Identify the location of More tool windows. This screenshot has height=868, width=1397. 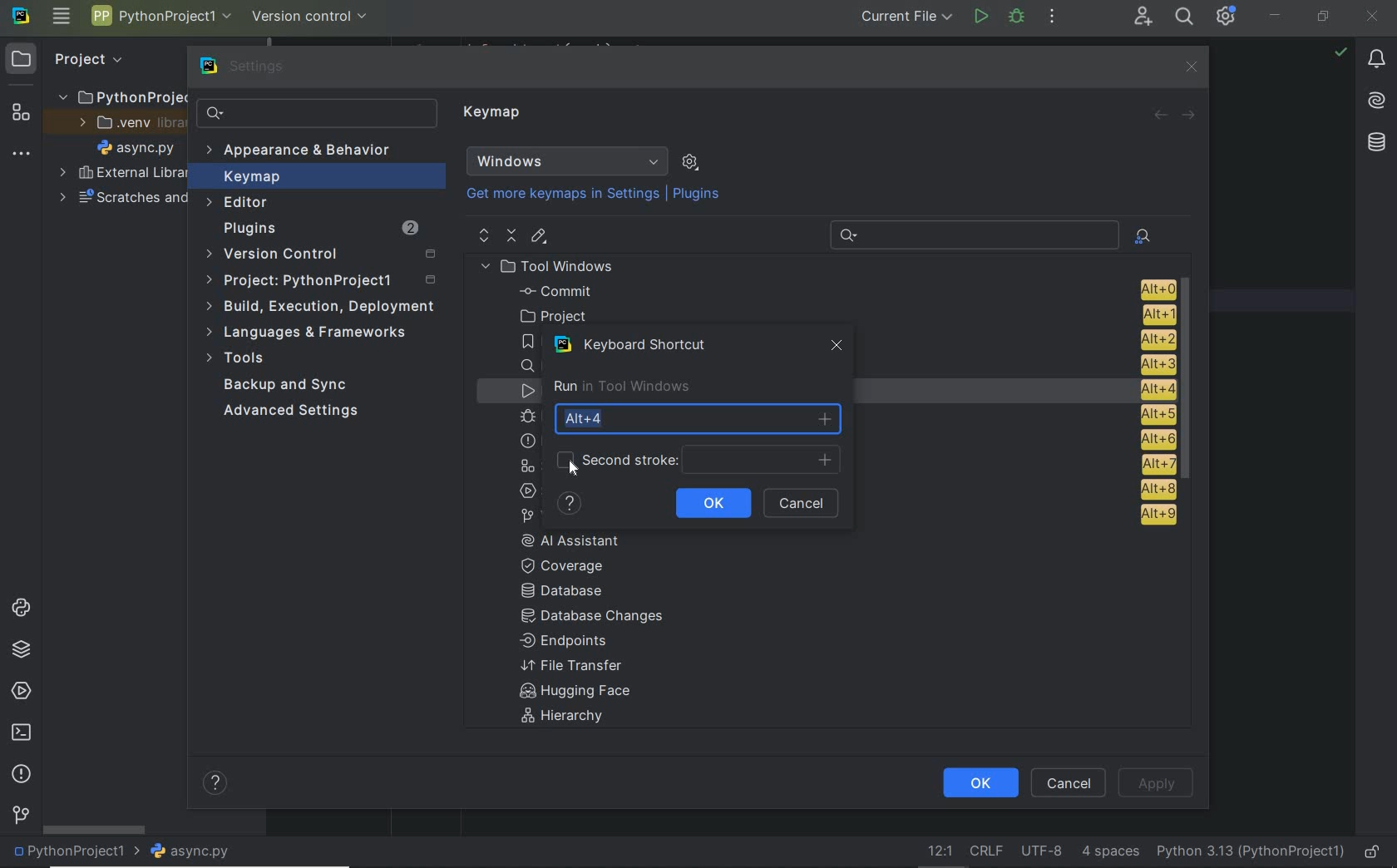
(22, 150).